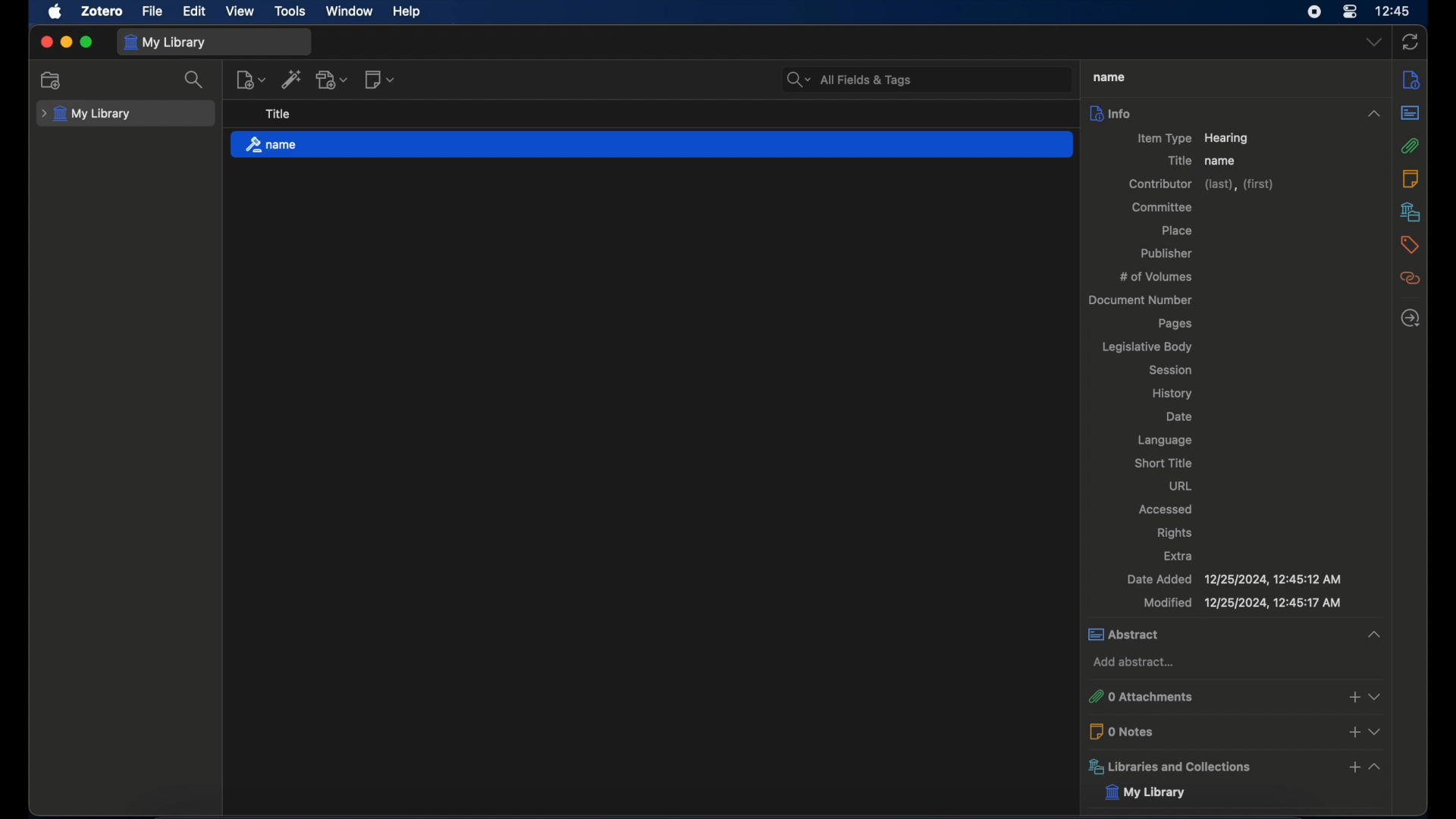 This screenshot has width=1456, height=819. Describe the element at coordinates (292, 79) in the screenshot. I see `add item by identifier` at that location.